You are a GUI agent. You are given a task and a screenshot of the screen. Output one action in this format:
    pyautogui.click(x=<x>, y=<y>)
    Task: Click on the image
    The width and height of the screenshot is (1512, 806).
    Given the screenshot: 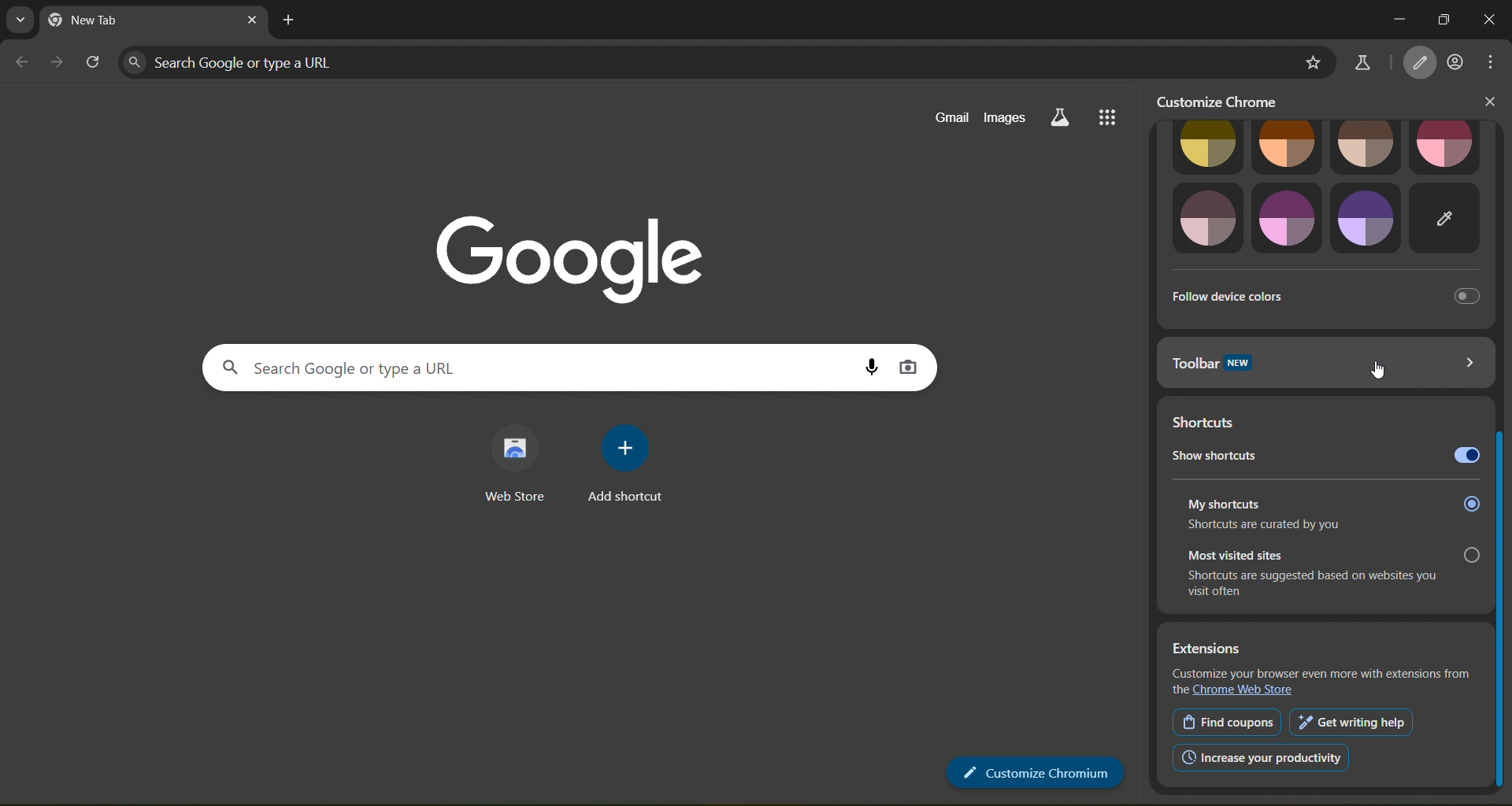 What is the action you would take?
    pyautogui.click(x=1288, y=220)
    